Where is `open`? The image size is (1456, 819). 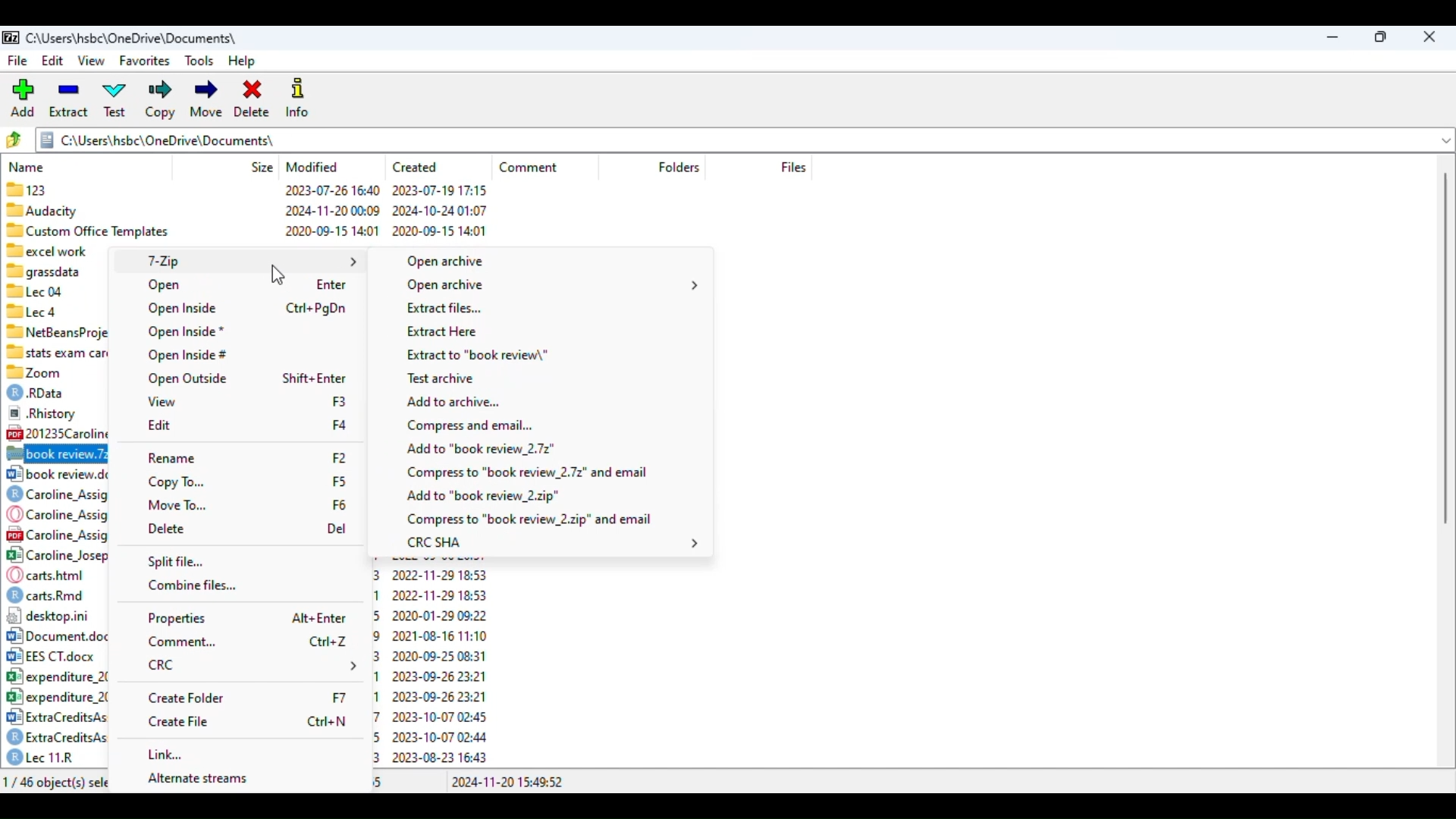
open is located at coordinates (165, 285).